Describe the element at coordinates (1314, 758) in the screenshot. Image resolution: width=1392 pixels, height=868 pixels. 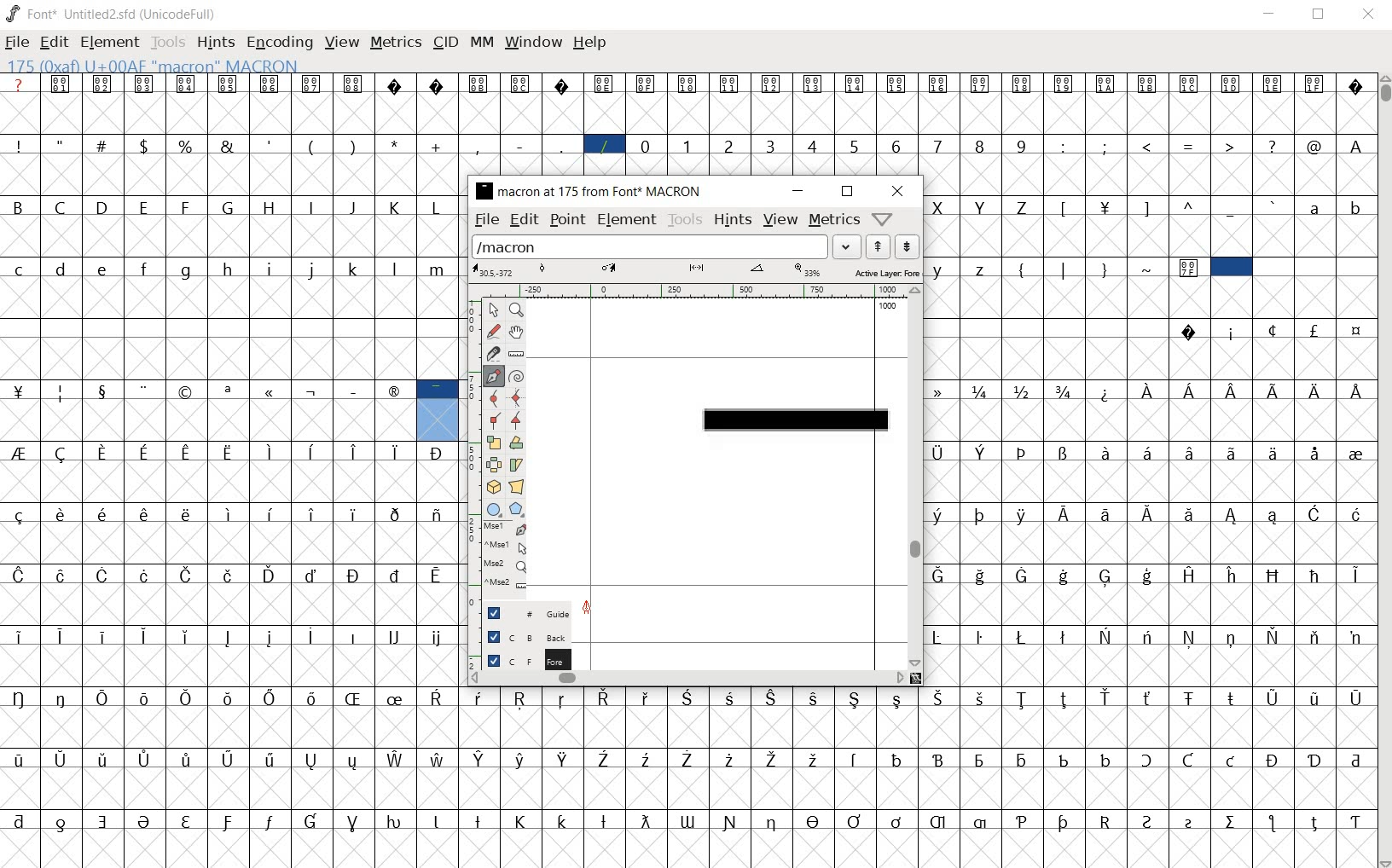
I see `Symbol` at that location.